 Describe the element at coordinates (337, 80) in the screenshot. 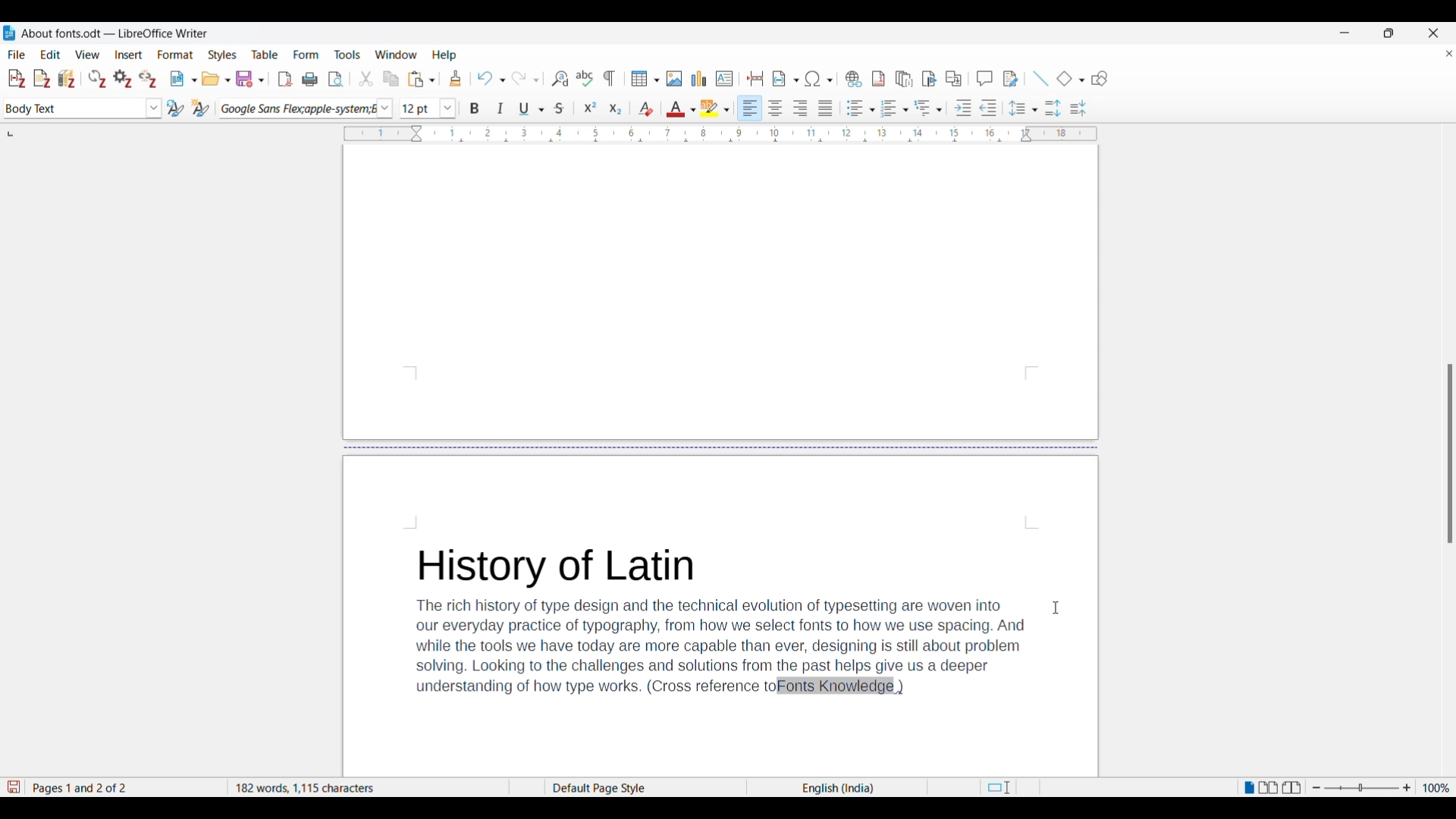

I see `Toggle print preview` at that location.